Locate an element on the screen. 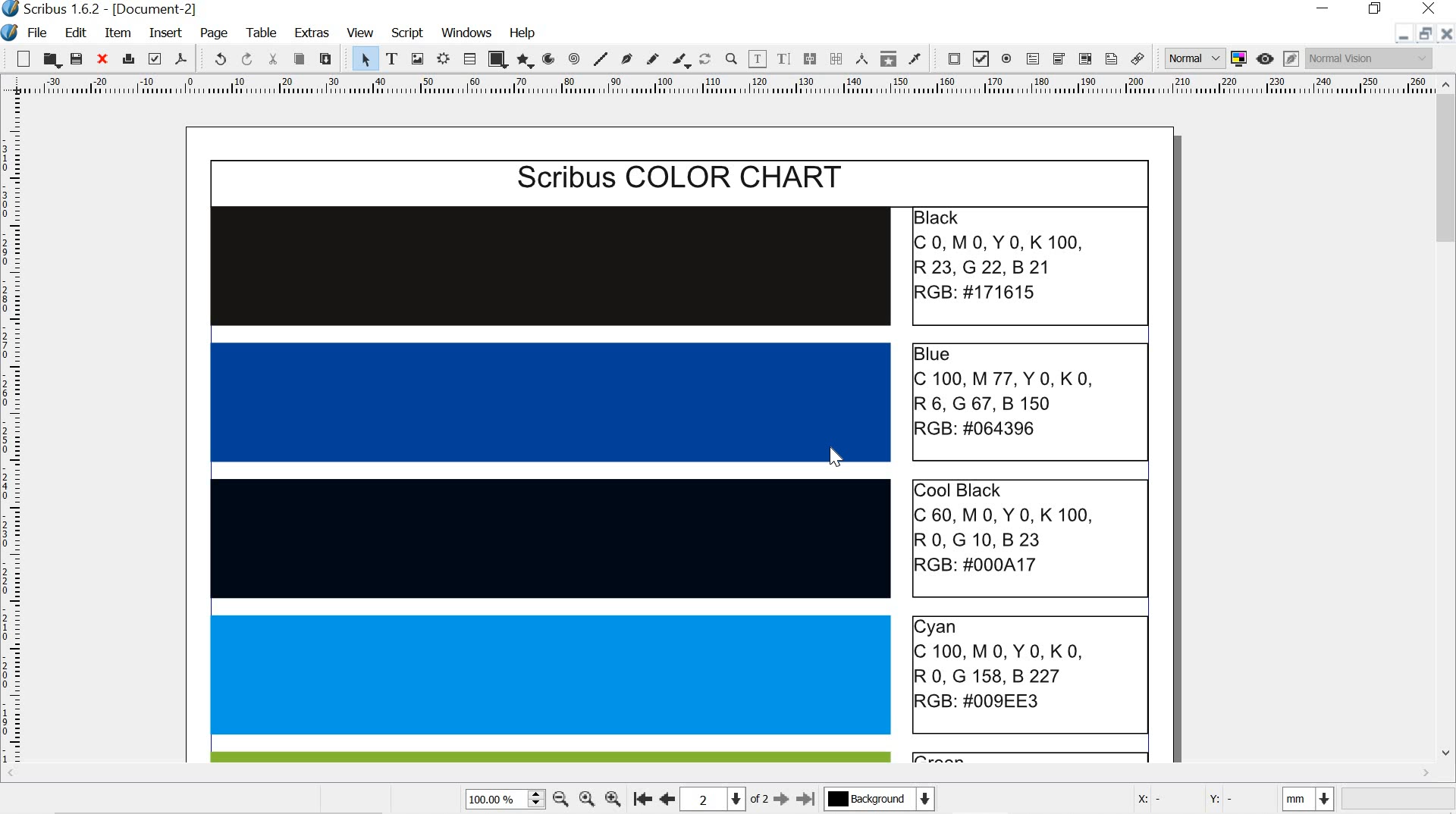  freehand line is located at coordinates (651, 58).